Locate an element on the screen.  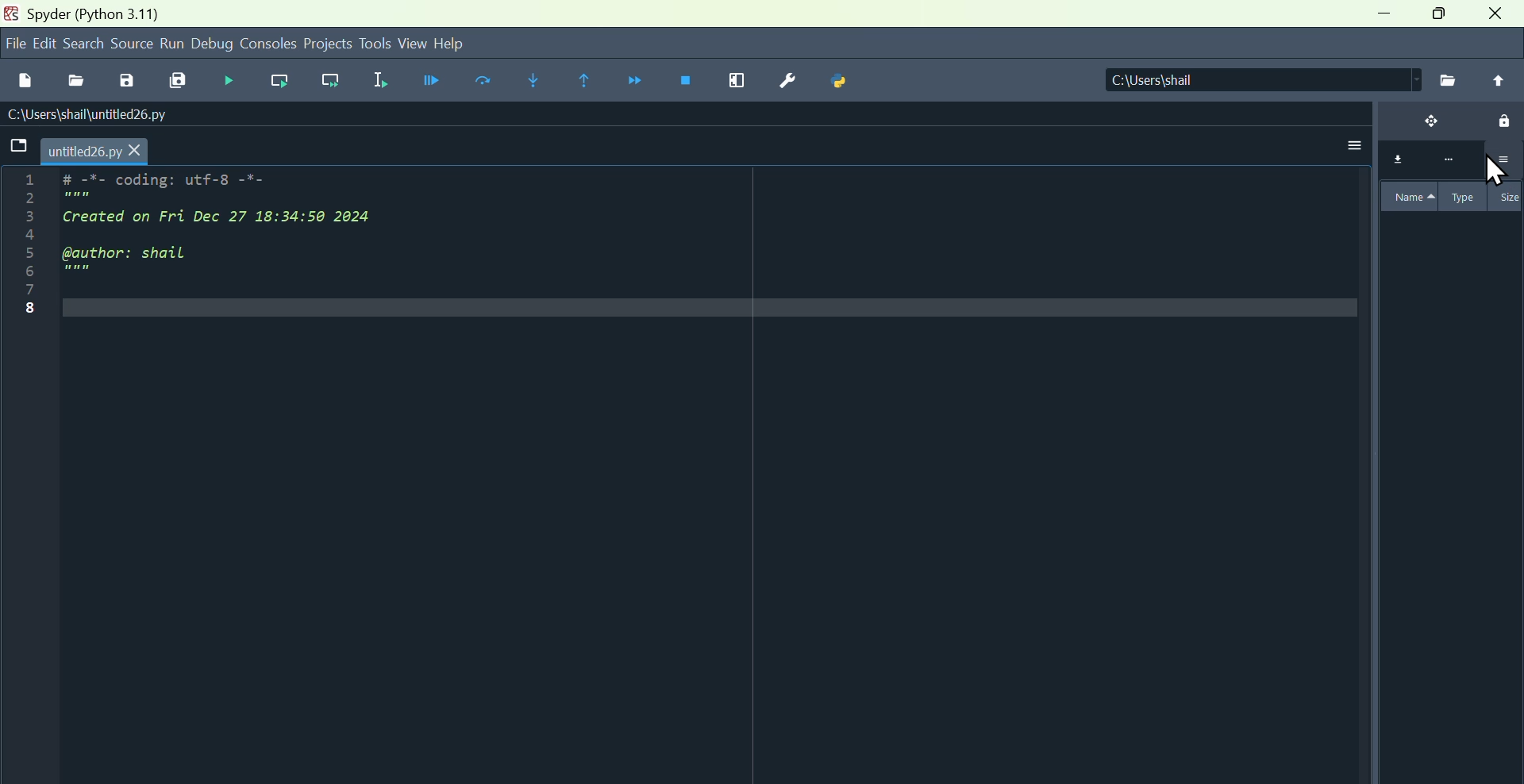
Projects is located at coordinates (329, 42).